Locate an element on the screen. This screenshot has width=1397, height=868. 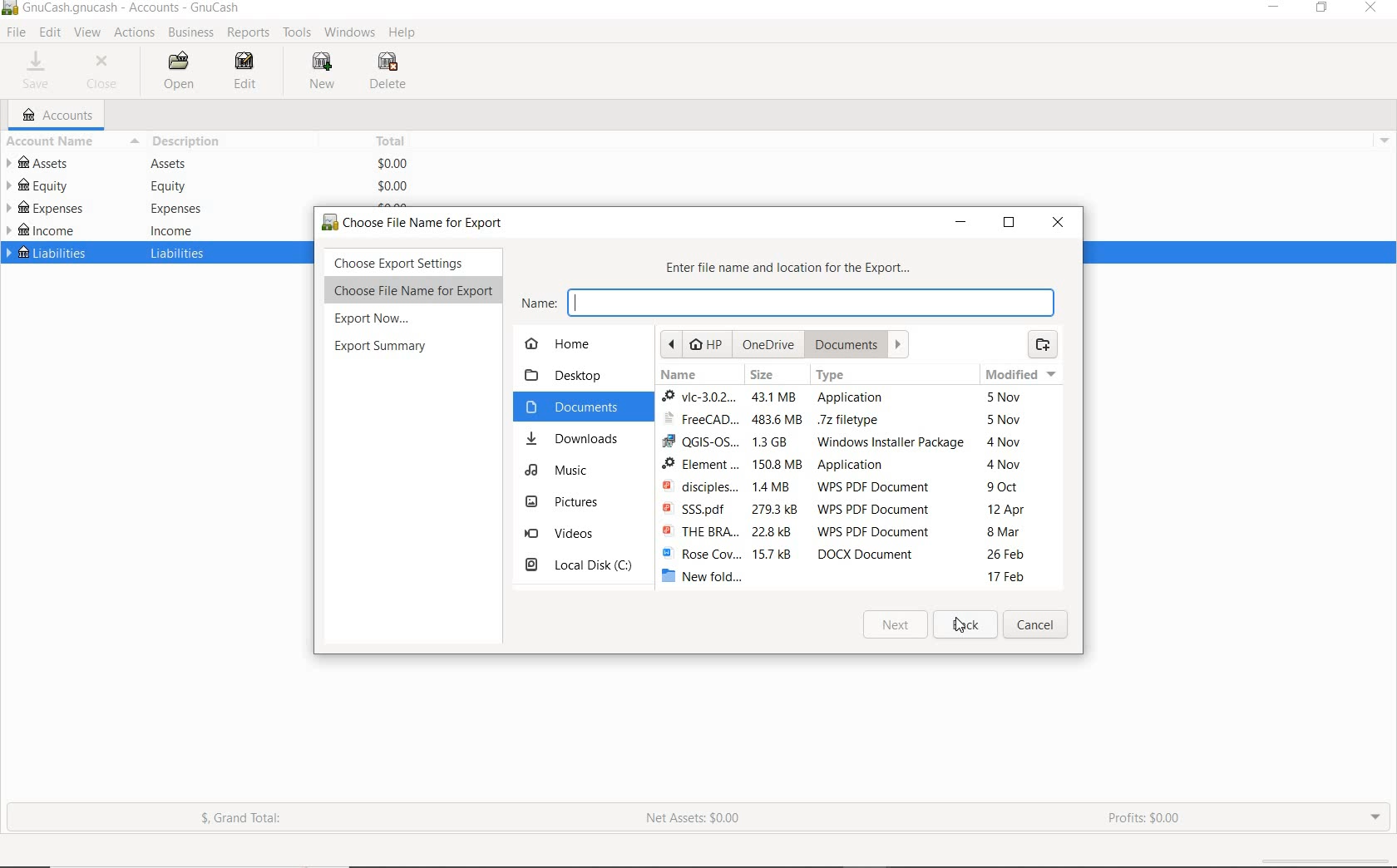
downloads is located at coordinates (574, 438).